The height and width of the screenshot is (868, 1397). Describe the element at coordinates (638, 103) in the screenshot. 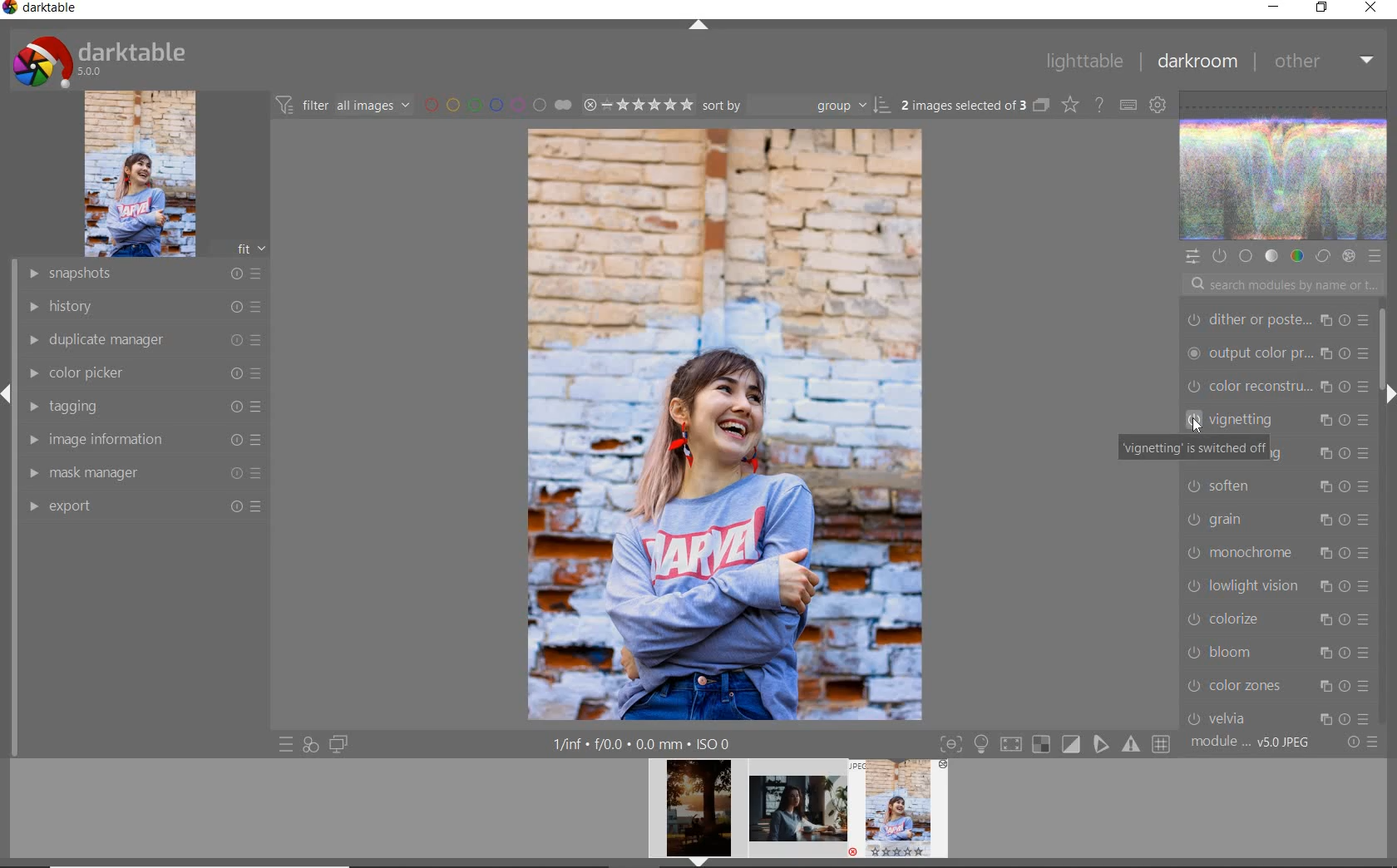

I see `SELECTED IMAGE RANGE RATING` at that location.